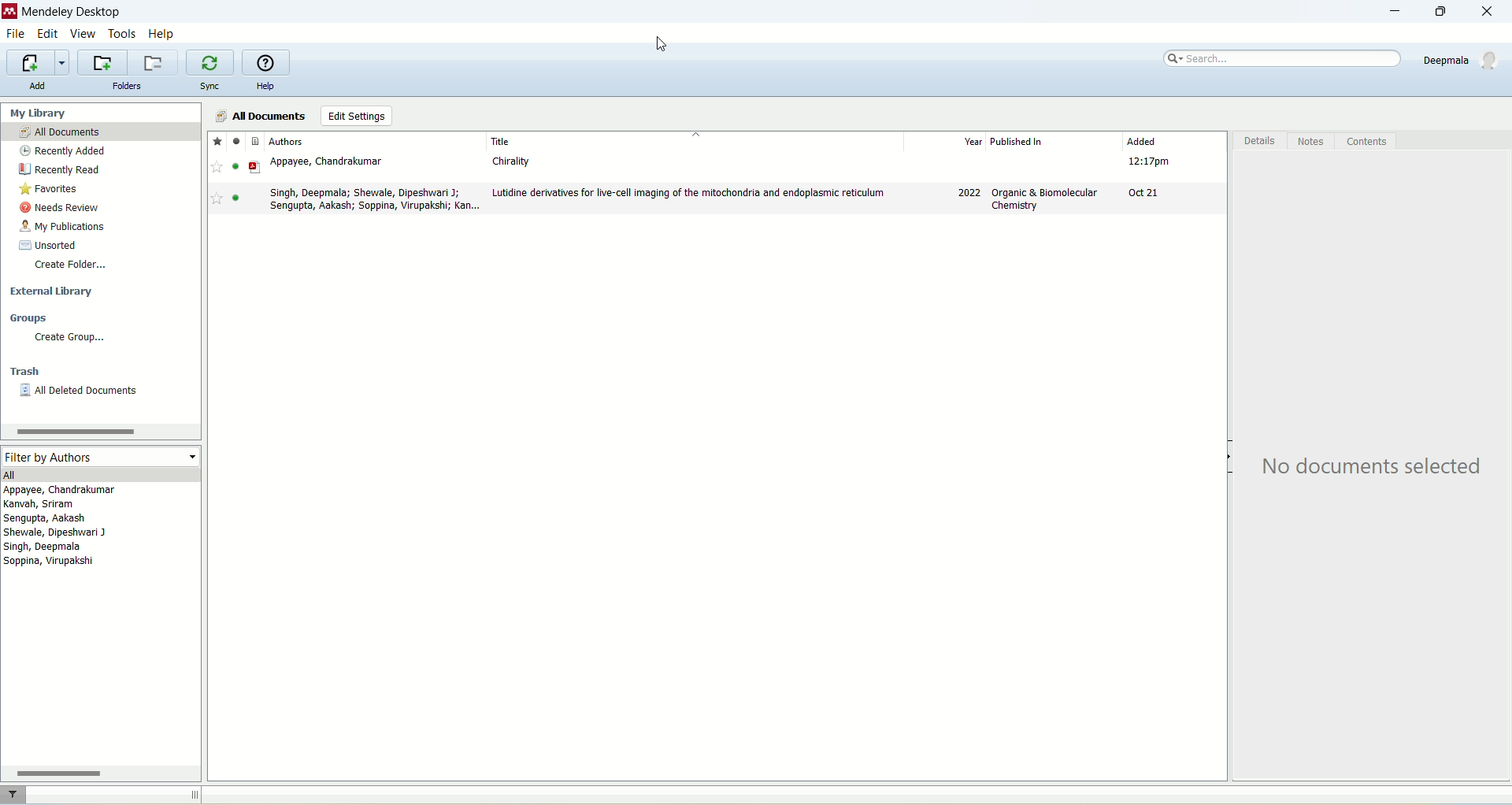 This screenshot has height=805, width=1512. What do you see at coordinates (716, 202) in the screenshot?
I see `document1` at bounding box center [716, 202].